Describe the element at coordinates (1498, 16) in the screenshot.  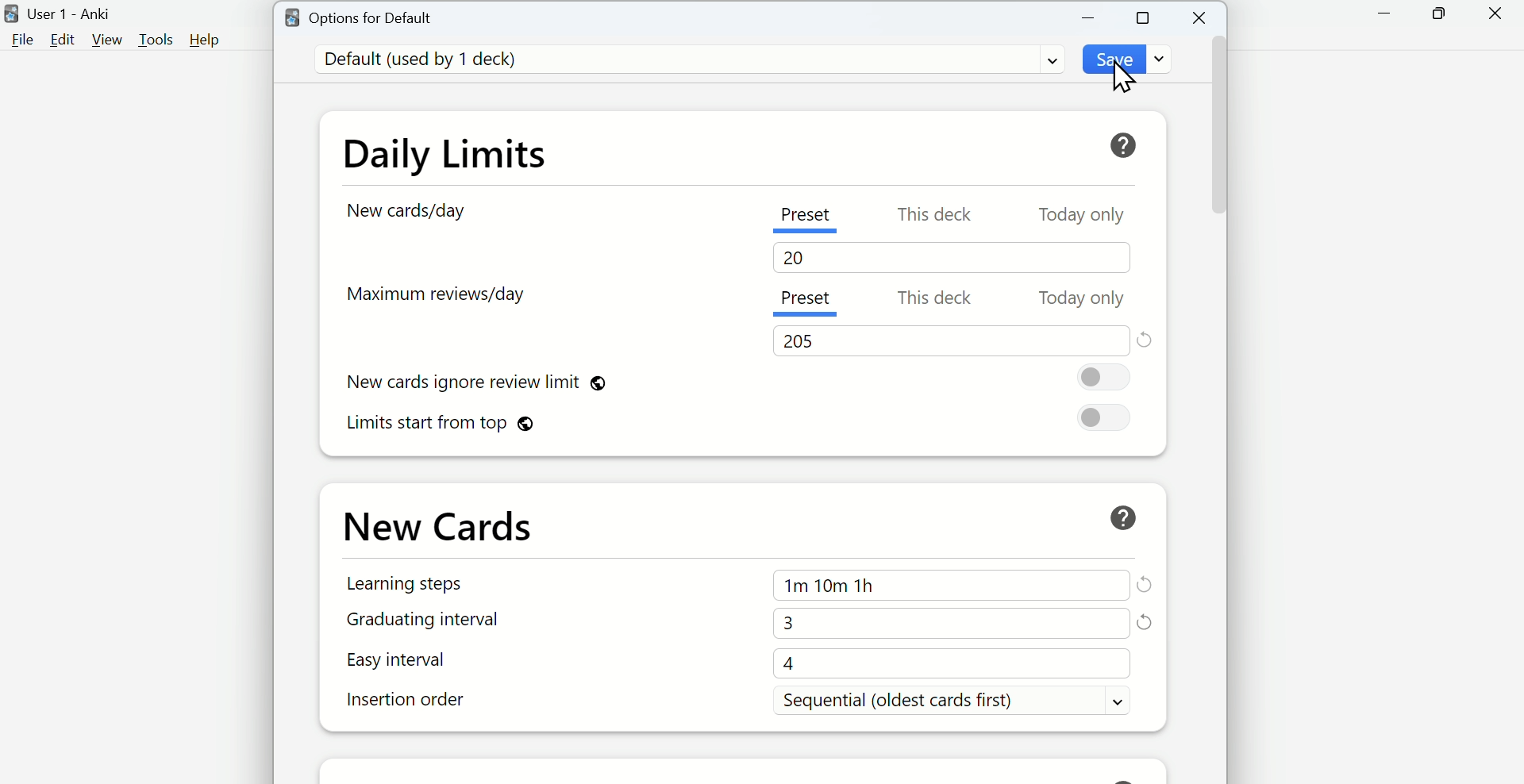
I see `Close` at that location.